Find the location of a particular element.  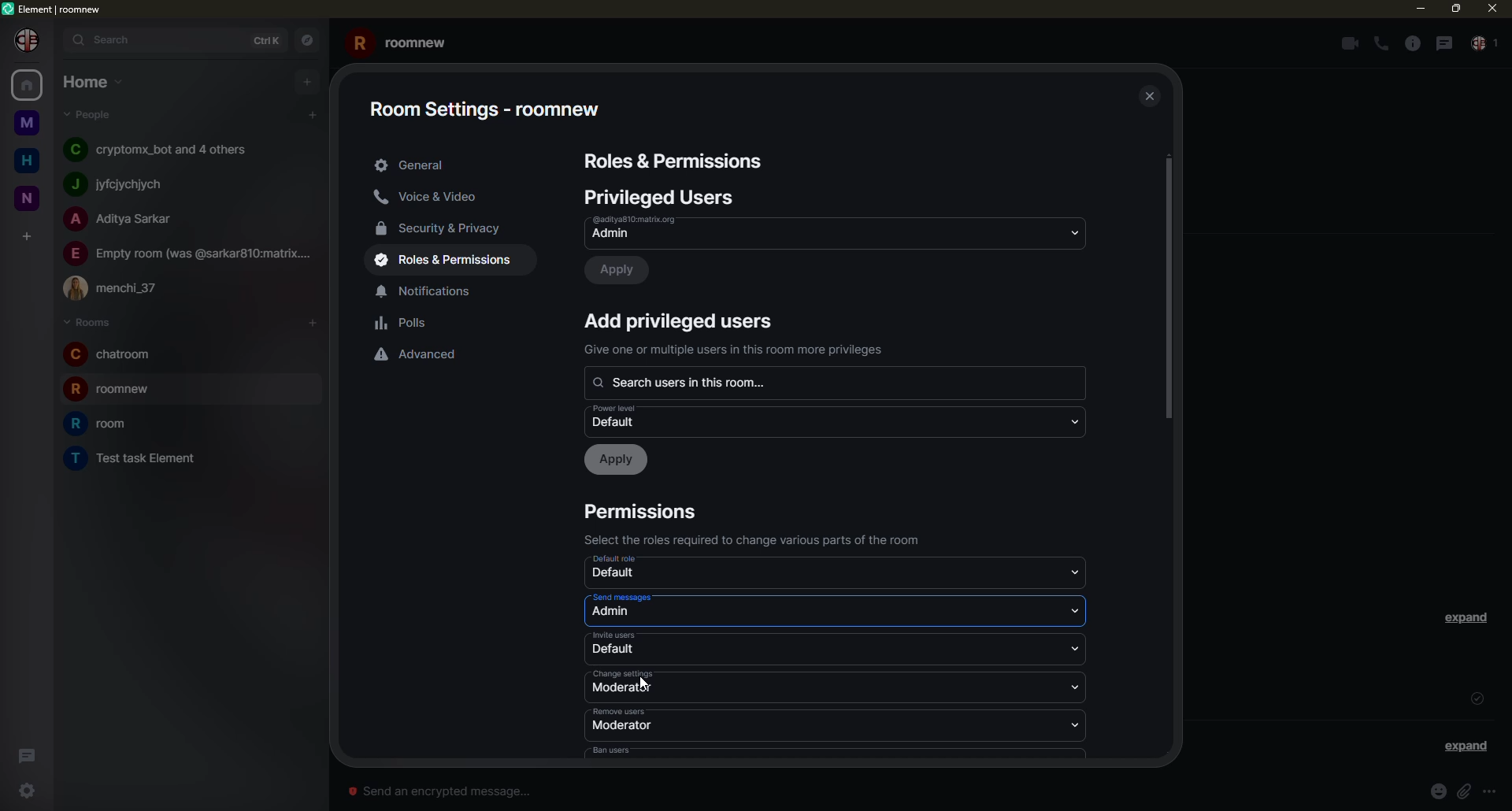

add is located at coordinates (681, 320).